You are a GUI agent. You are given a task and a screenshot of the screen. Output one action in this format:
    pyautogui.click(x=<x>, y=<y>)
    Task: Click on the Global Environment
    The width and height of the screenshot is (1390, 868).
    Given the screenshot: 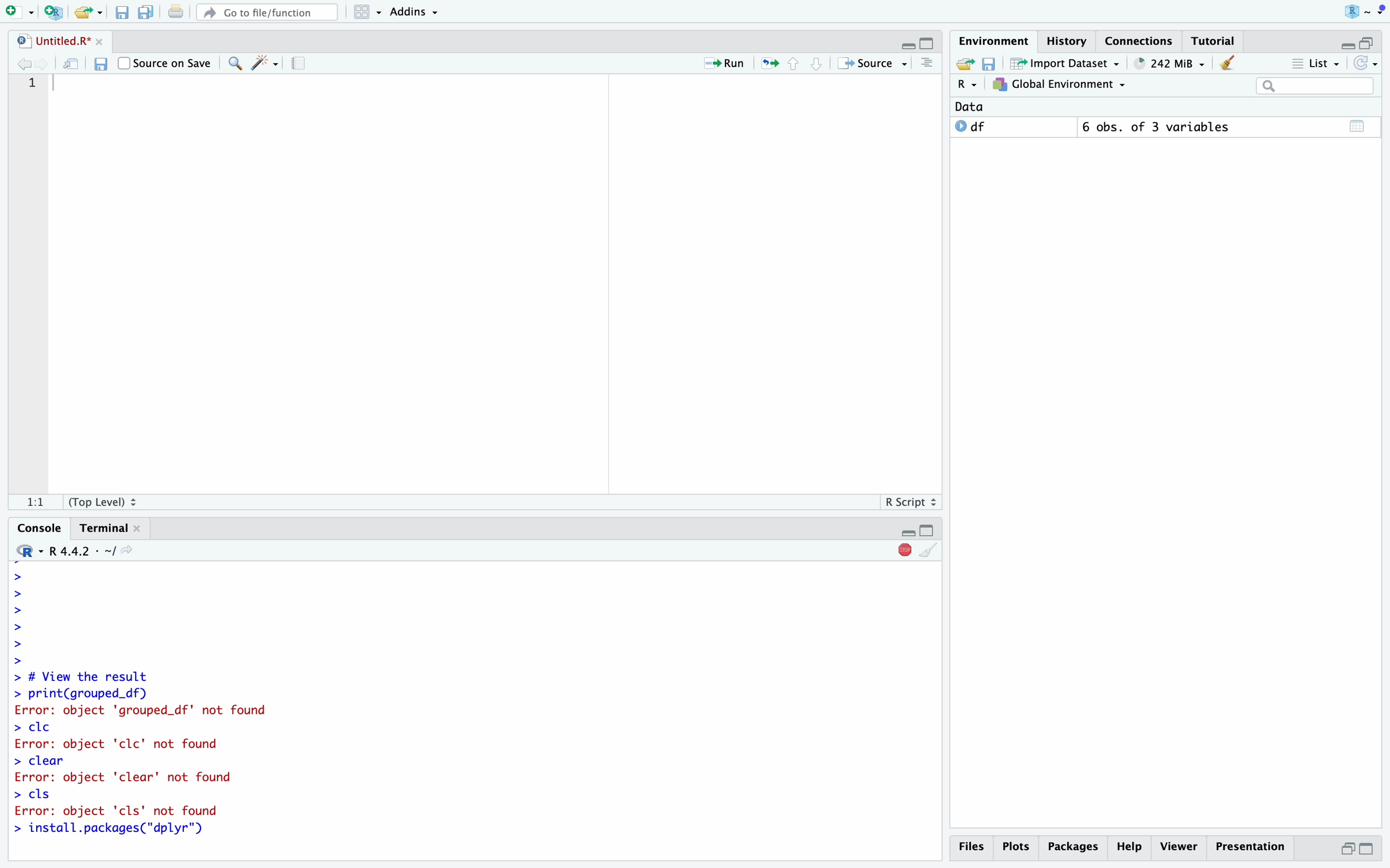 What is the action you would take?
    pyautogui.click(x=1059, y=86)
    